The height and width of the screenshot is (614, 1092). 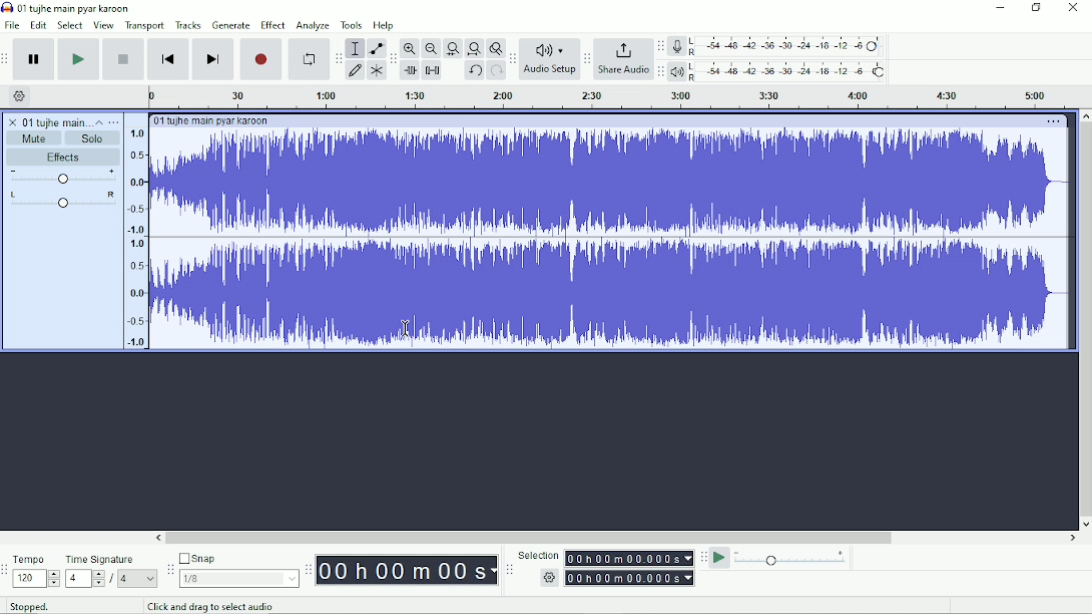 What do you see at coordinates (123, 58) in the screenshot?
I see `Stop` at bounding box center [123, 58].